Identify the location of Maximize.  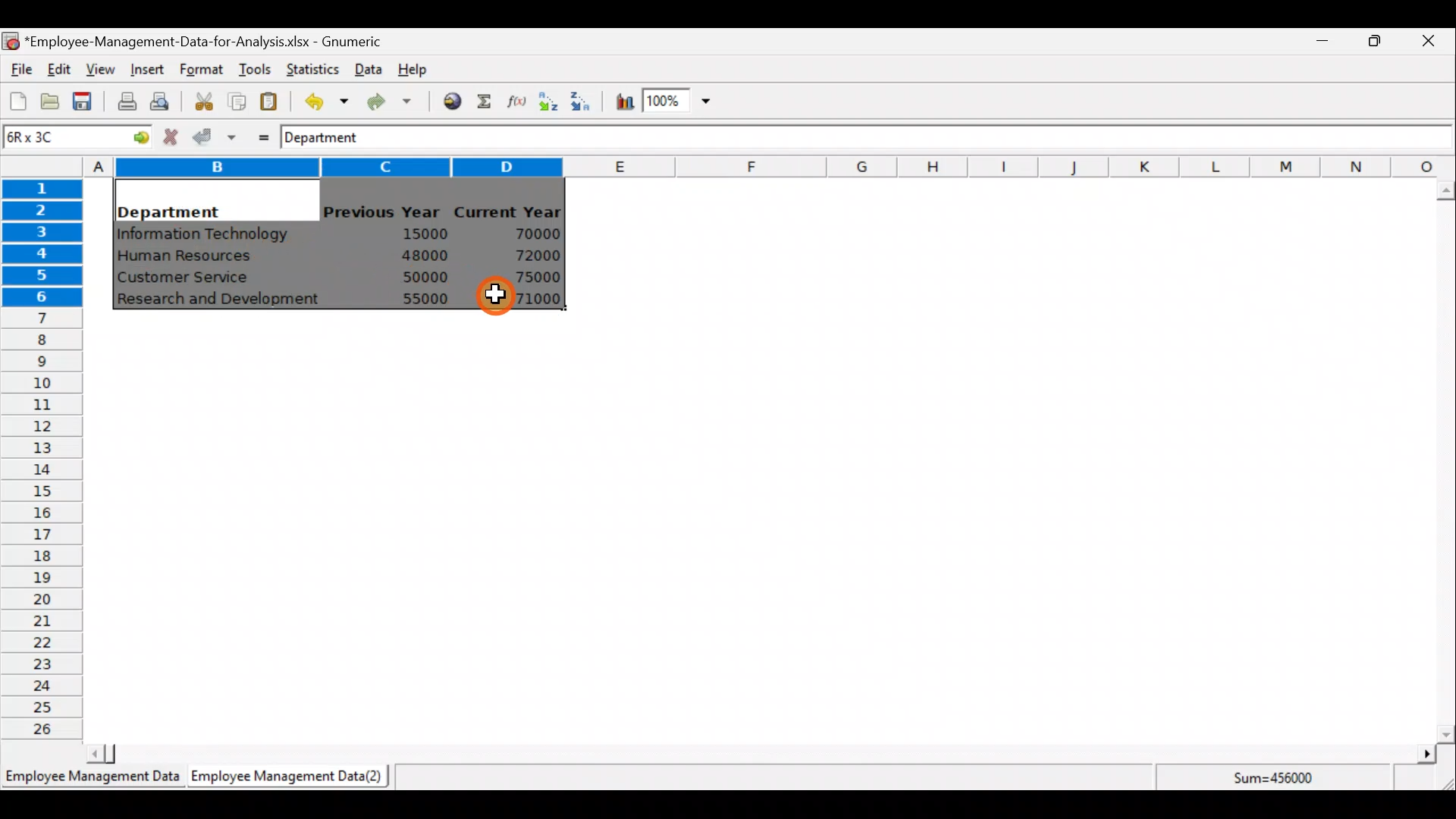
(1375, 40).